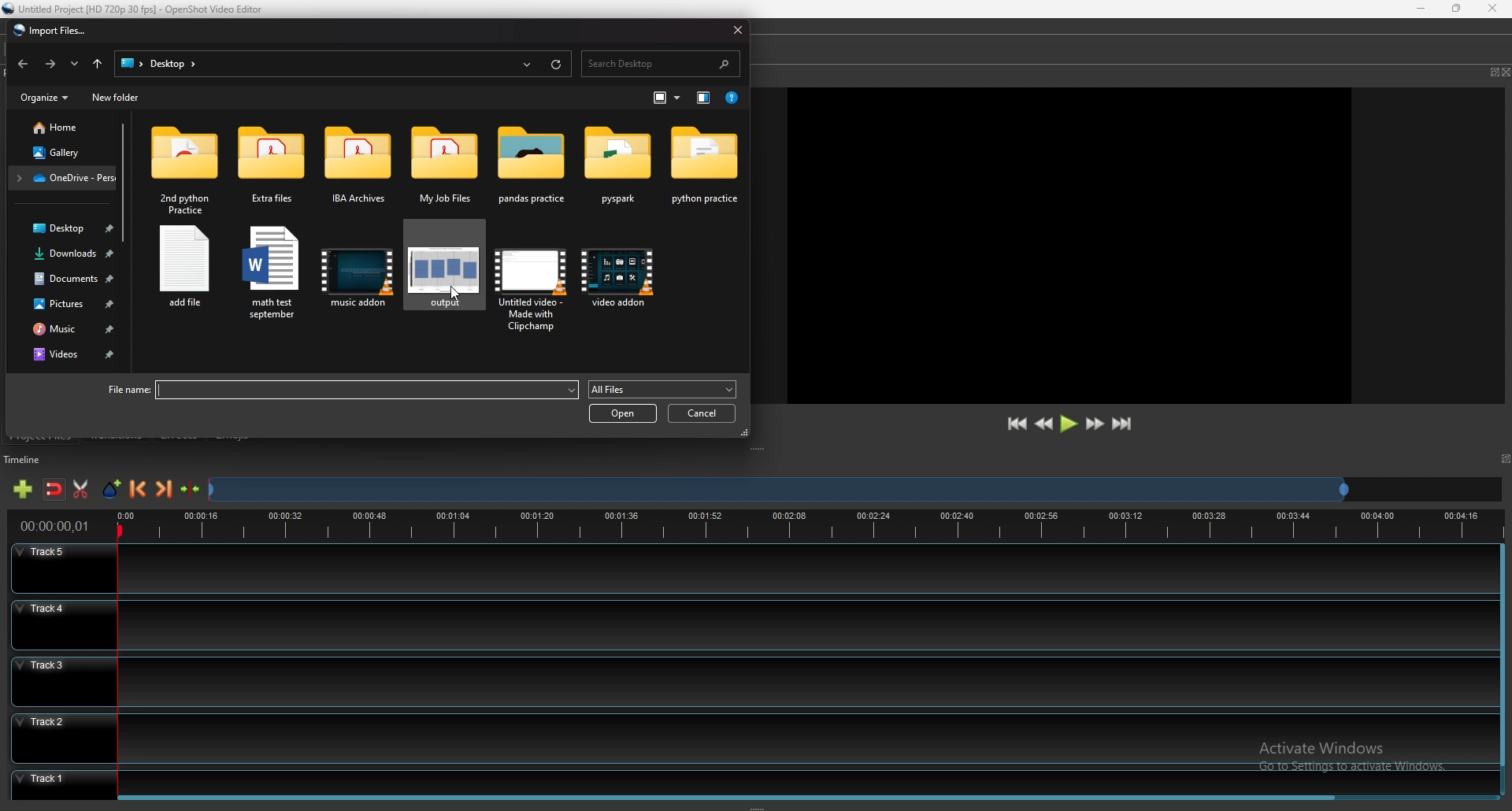  Describe the element at coordinates (663, 390) in the screenshot. I see `all files` at that location.